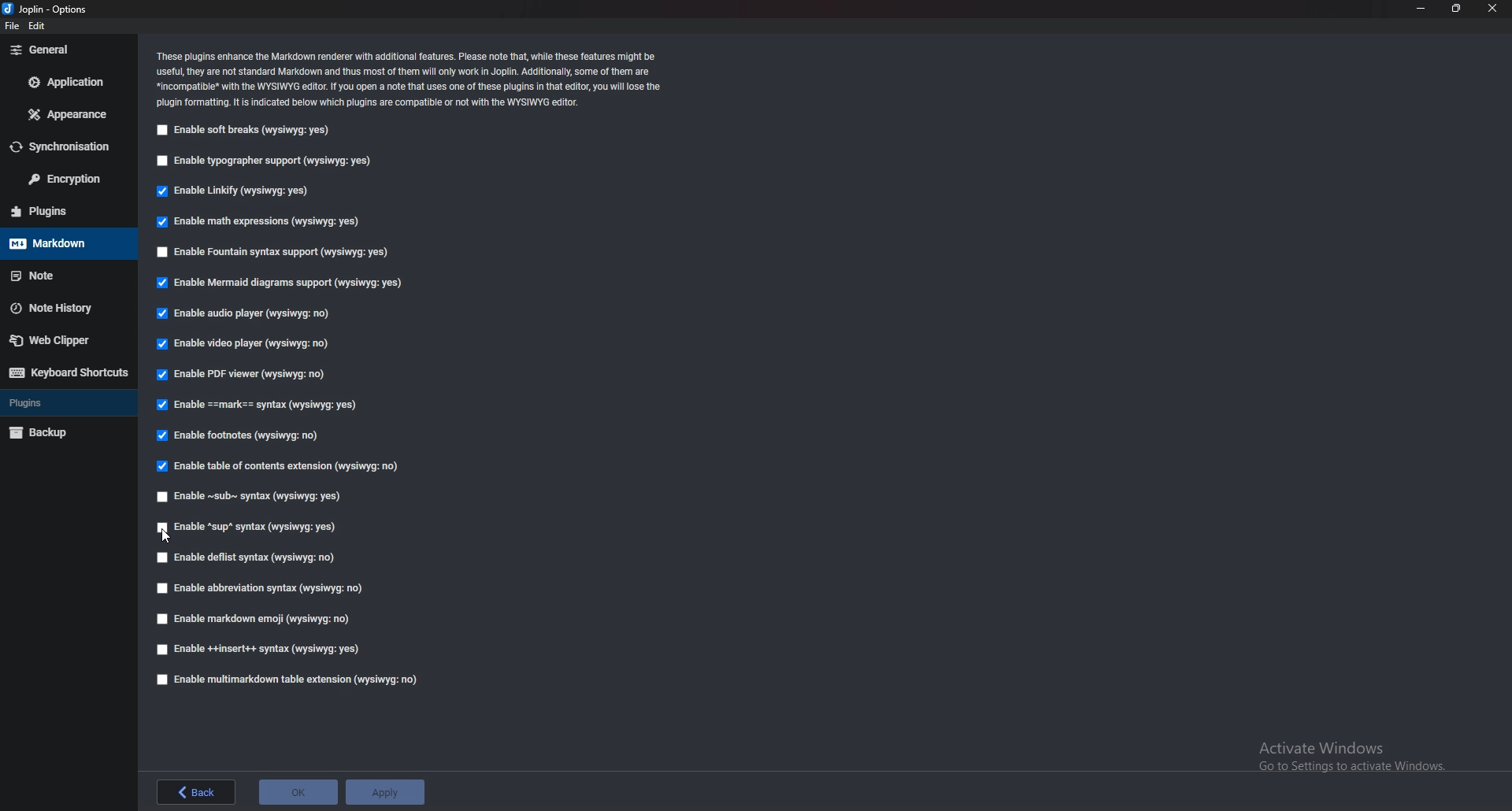  I want to click on Enable muitimarkdown table extension (wysiwyg: no), so click(287, 679).